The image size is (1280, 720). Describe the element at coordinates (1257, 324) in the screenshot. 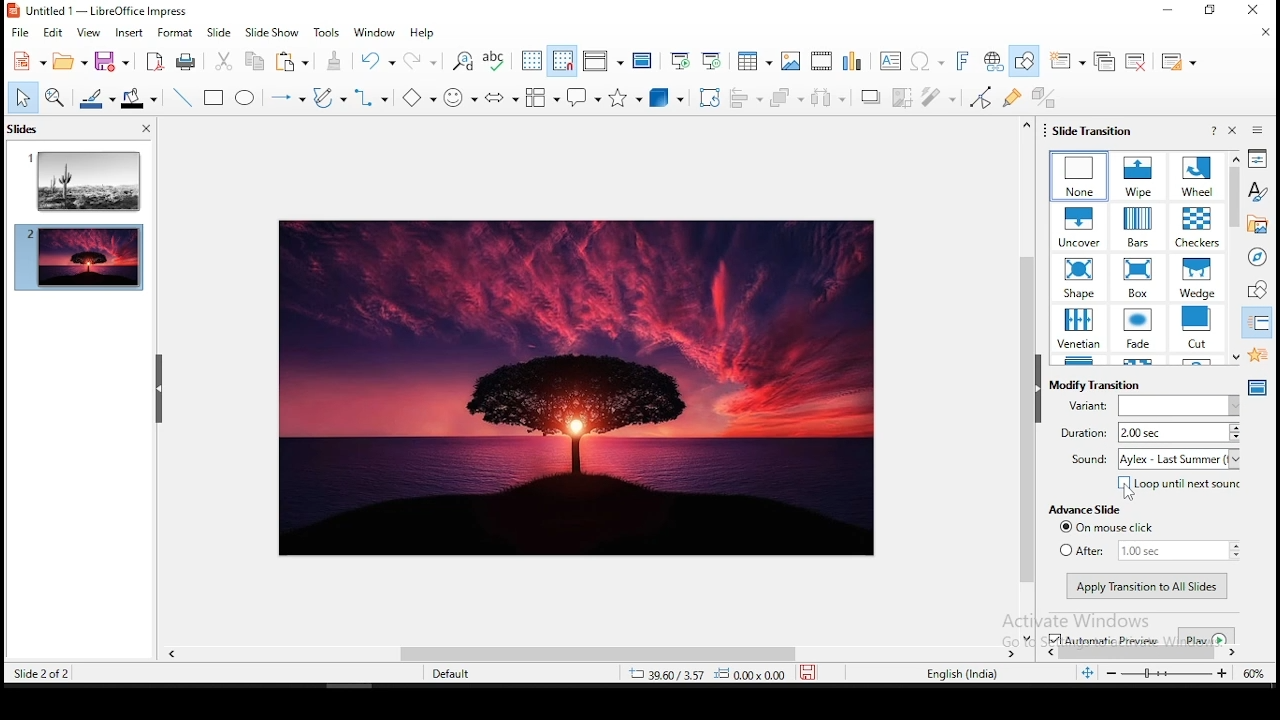

I see `slide transitions` at that location.